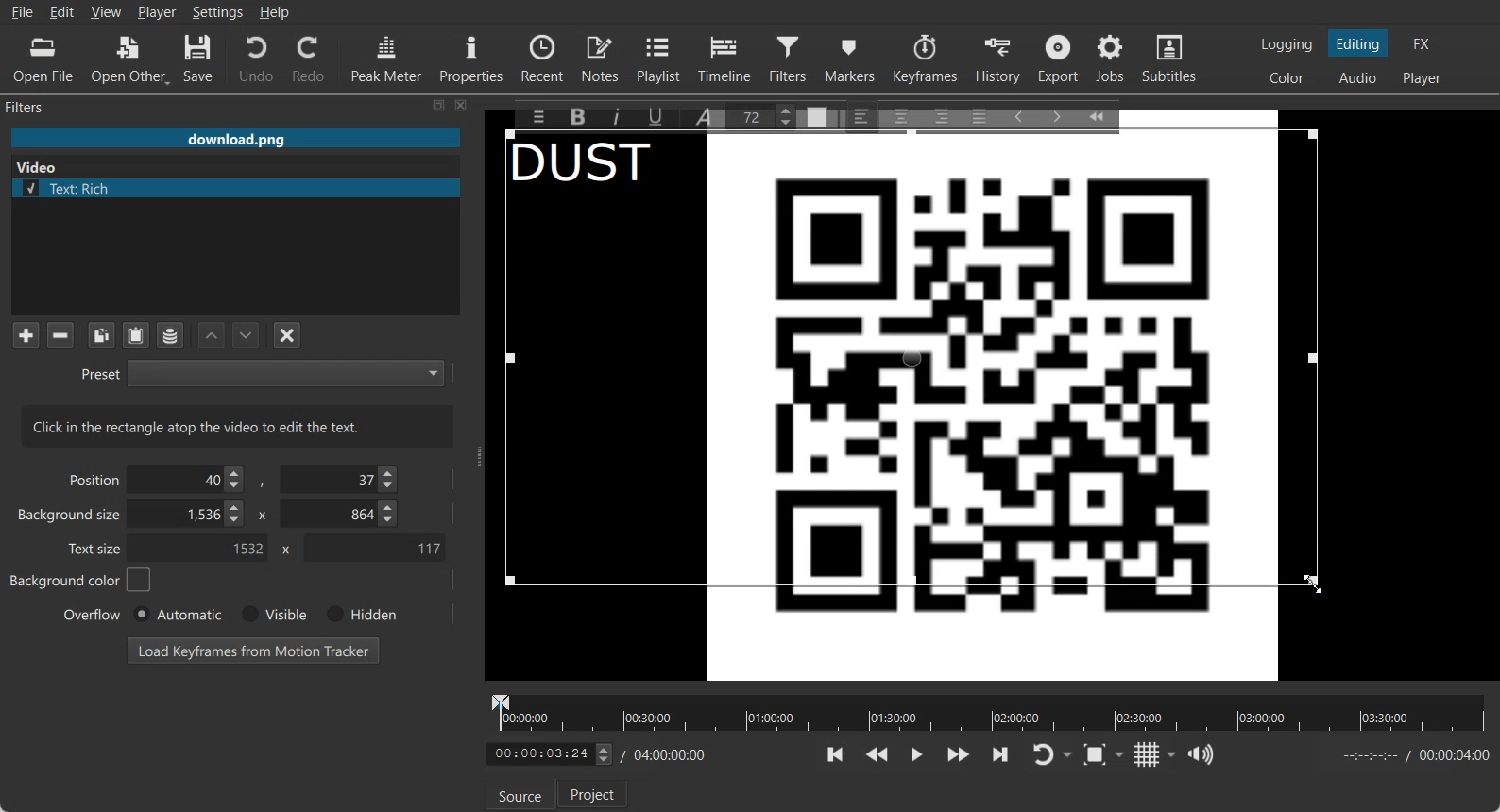 Image resolution: width=1500 pixels, height=812 pixels. I want to click on File, so click(235, 140).